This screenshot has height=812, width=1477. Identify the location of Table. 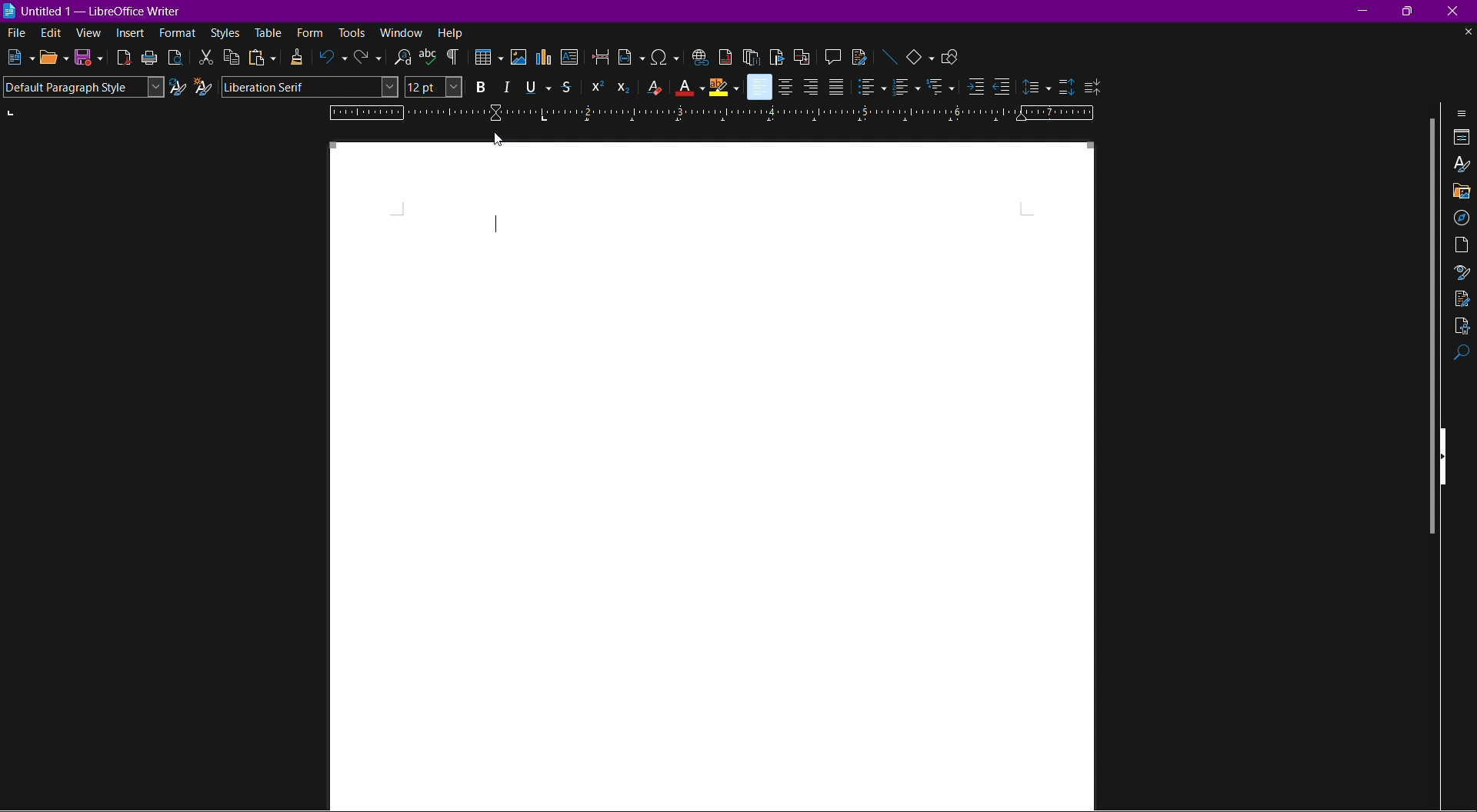
(487, 58).